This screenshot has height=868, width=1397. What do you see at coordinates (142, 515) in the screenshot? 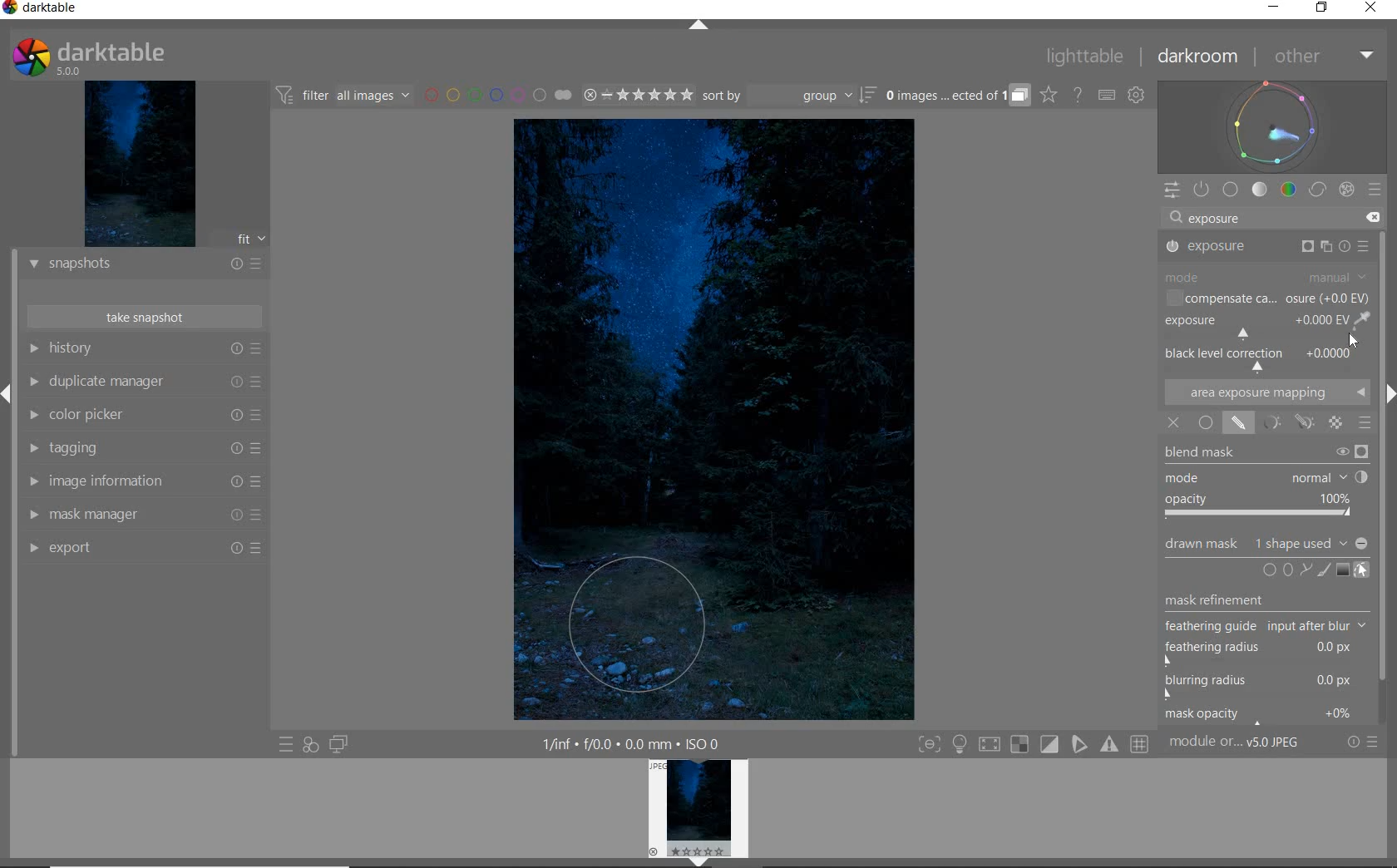
I see `MASK MANAGER` at bounding box center [142, 515].